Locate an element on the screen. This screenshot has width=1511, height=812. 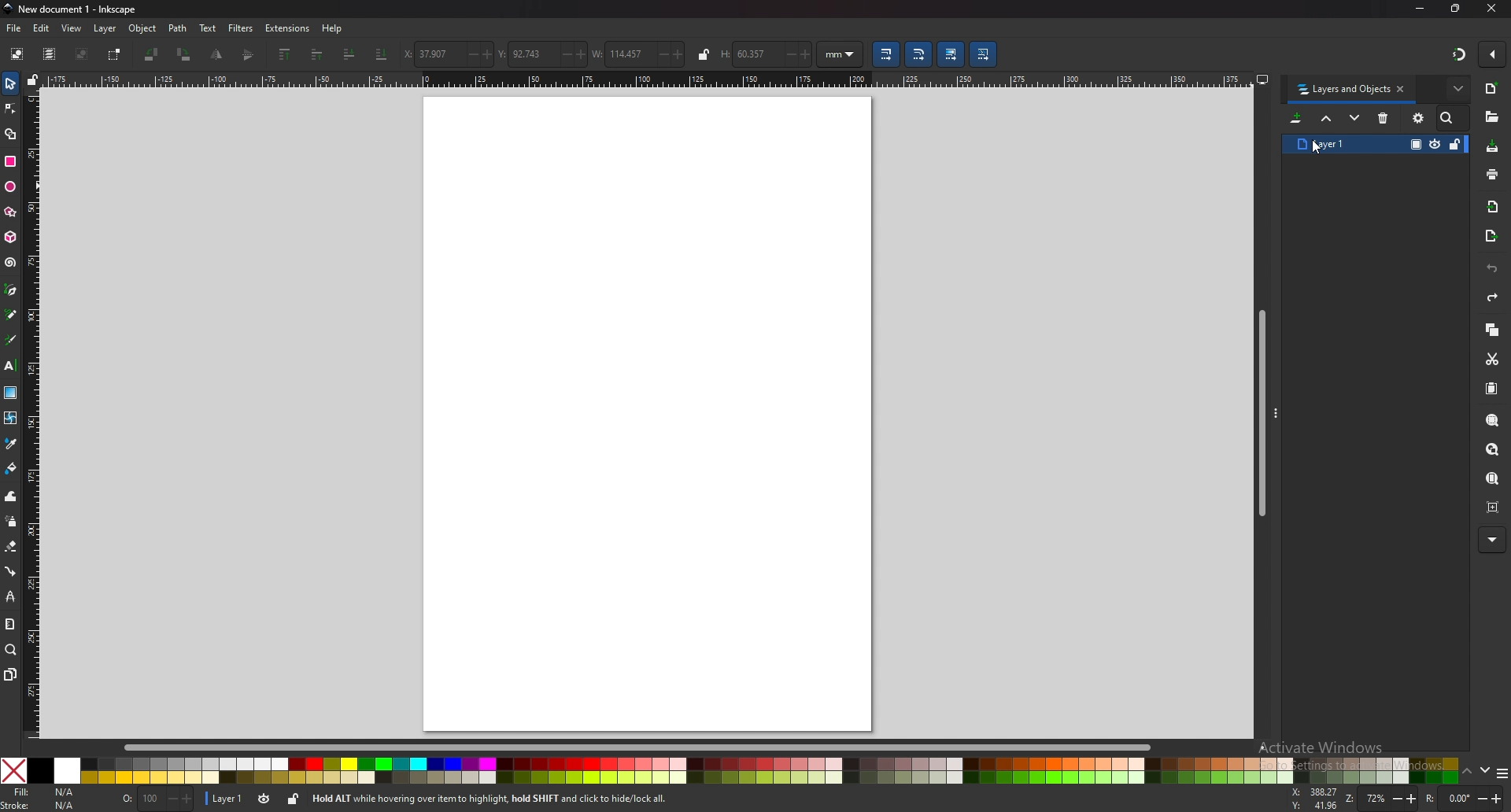
filters is located at coordinates (242, 28).